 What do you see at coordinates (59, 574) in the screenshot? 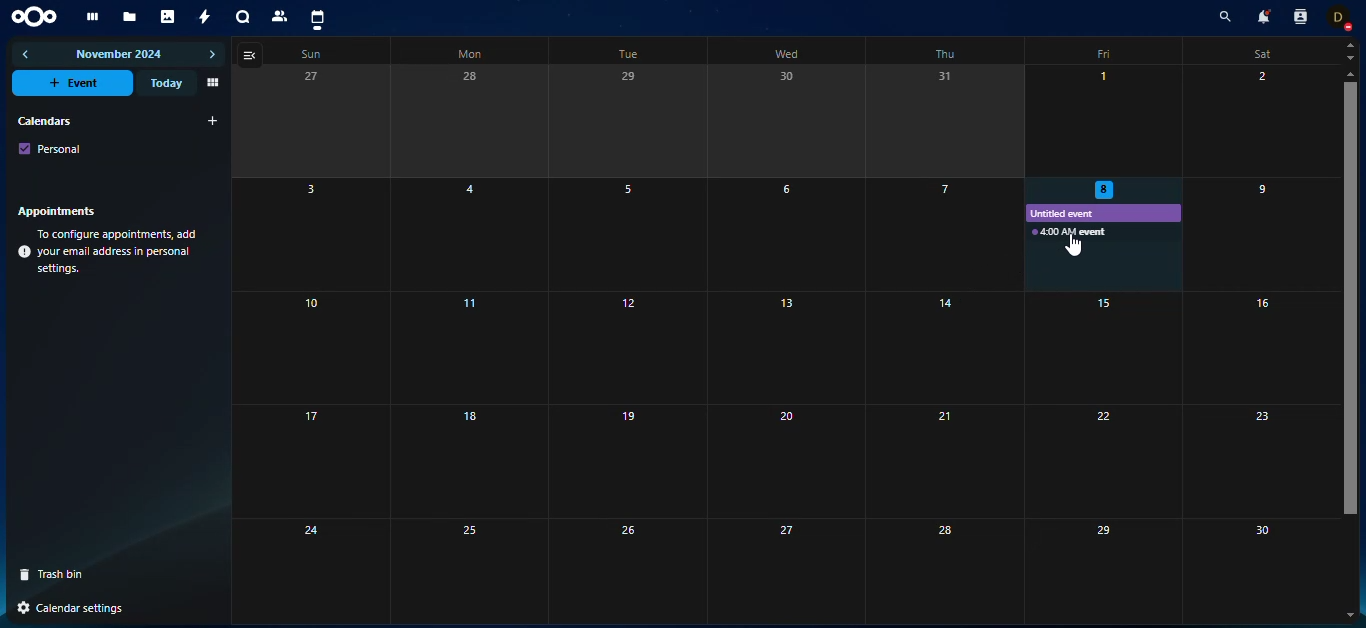
I see `trash bin` at bounding box center [59, 574].